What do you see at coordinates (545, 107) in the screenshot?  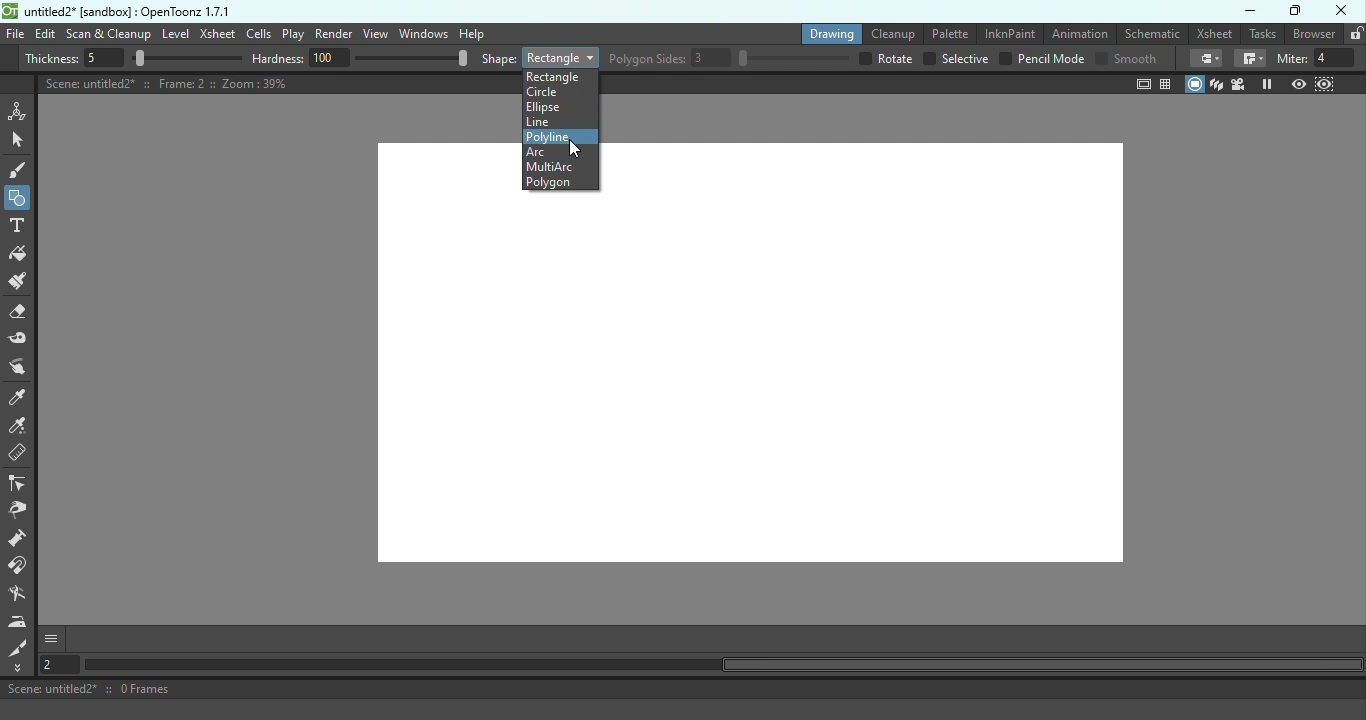 I see `Ellipse` at bounding box center [545, 107].